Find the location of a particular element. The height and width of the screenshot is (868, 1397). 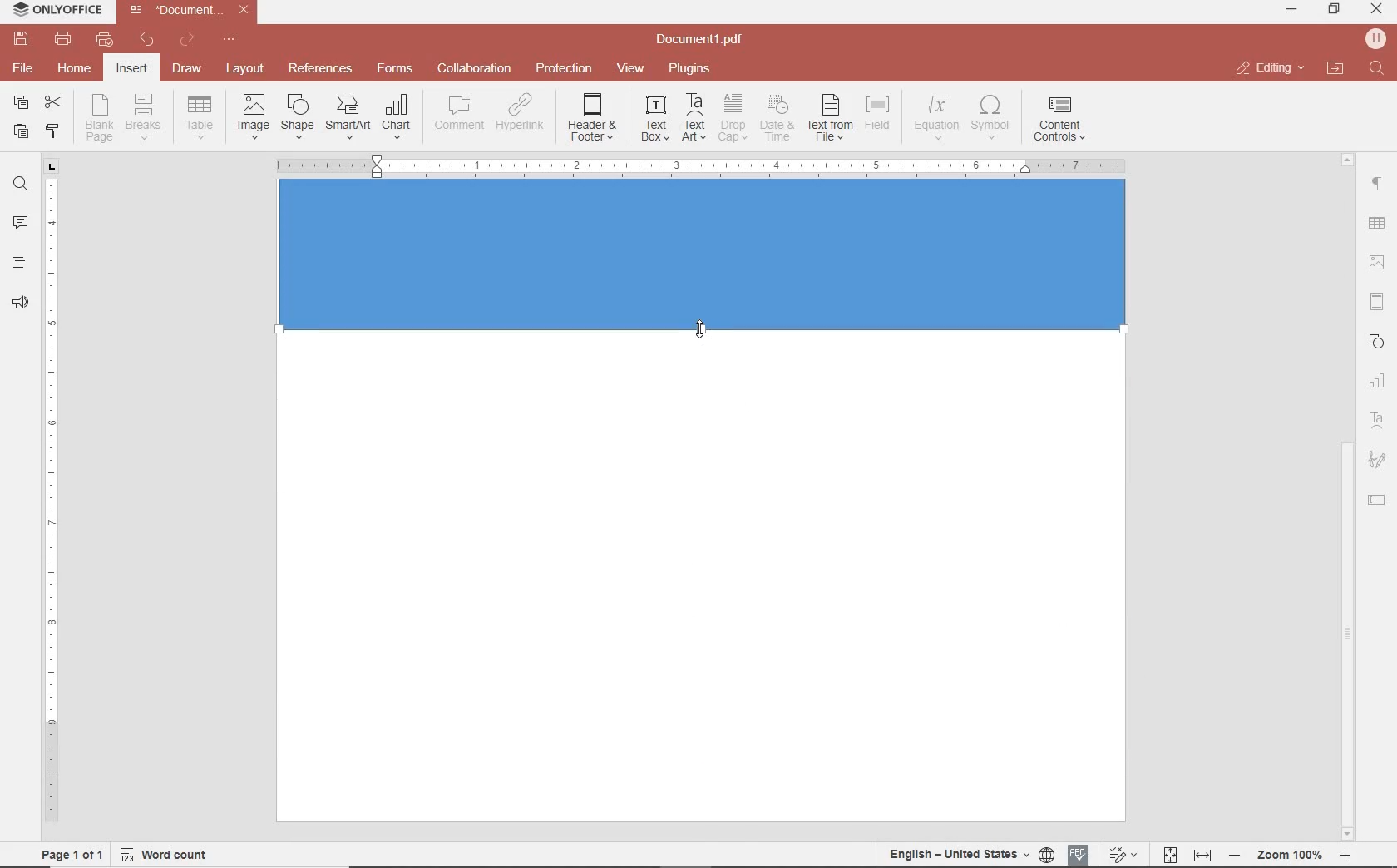

file name is located at coordinates (193, 10).